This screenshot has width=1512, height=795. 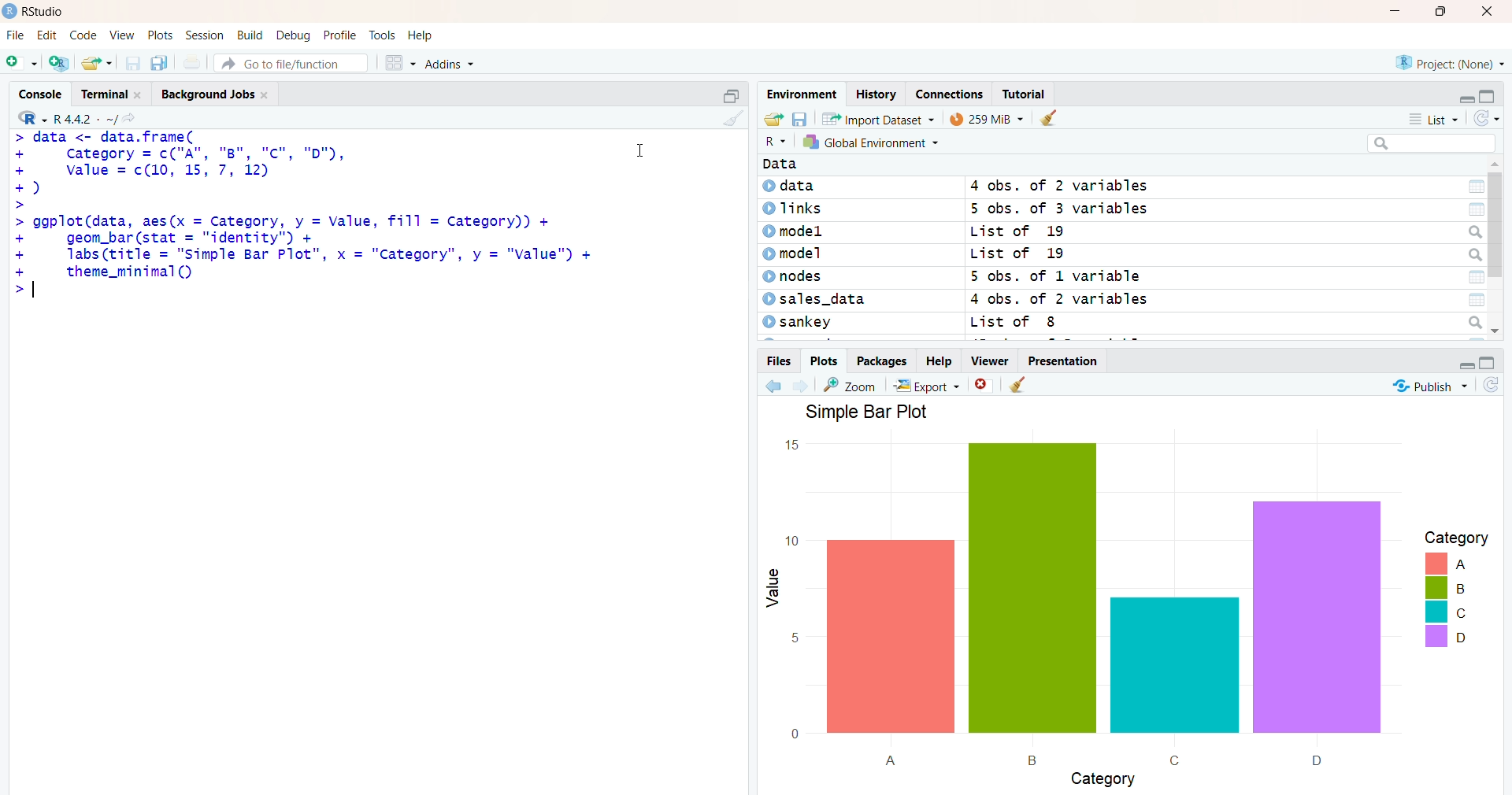 What do you see at coordinates (190, 62) in the screenshot?
I see `print current file` at bounding box center [190, 62].